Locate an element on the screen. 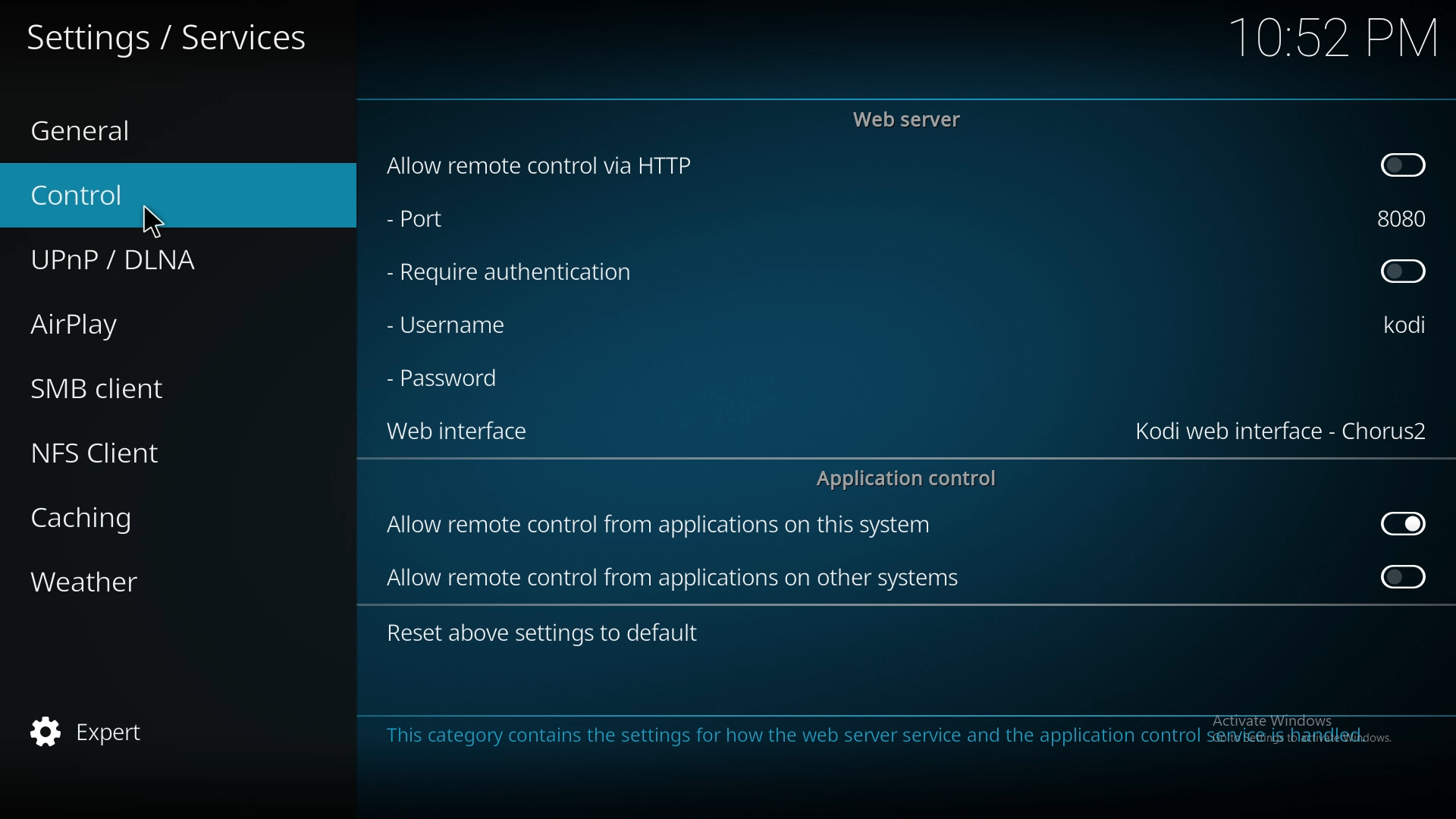  web interface is located at coordinates (467, 434).